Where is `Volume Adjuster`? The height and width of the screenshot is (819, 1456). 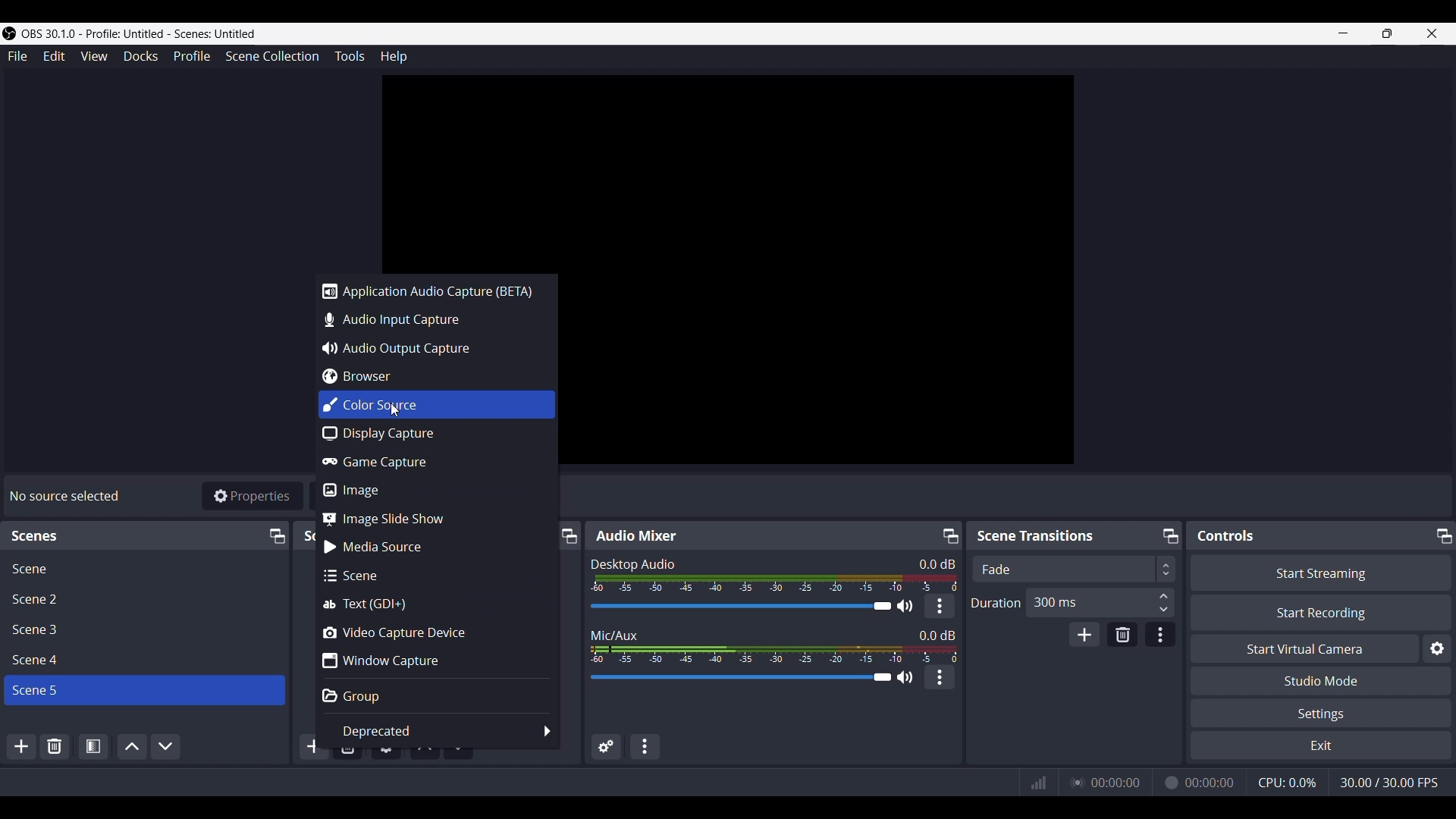
Volume Adjuster is located at coordinates (751, 605).